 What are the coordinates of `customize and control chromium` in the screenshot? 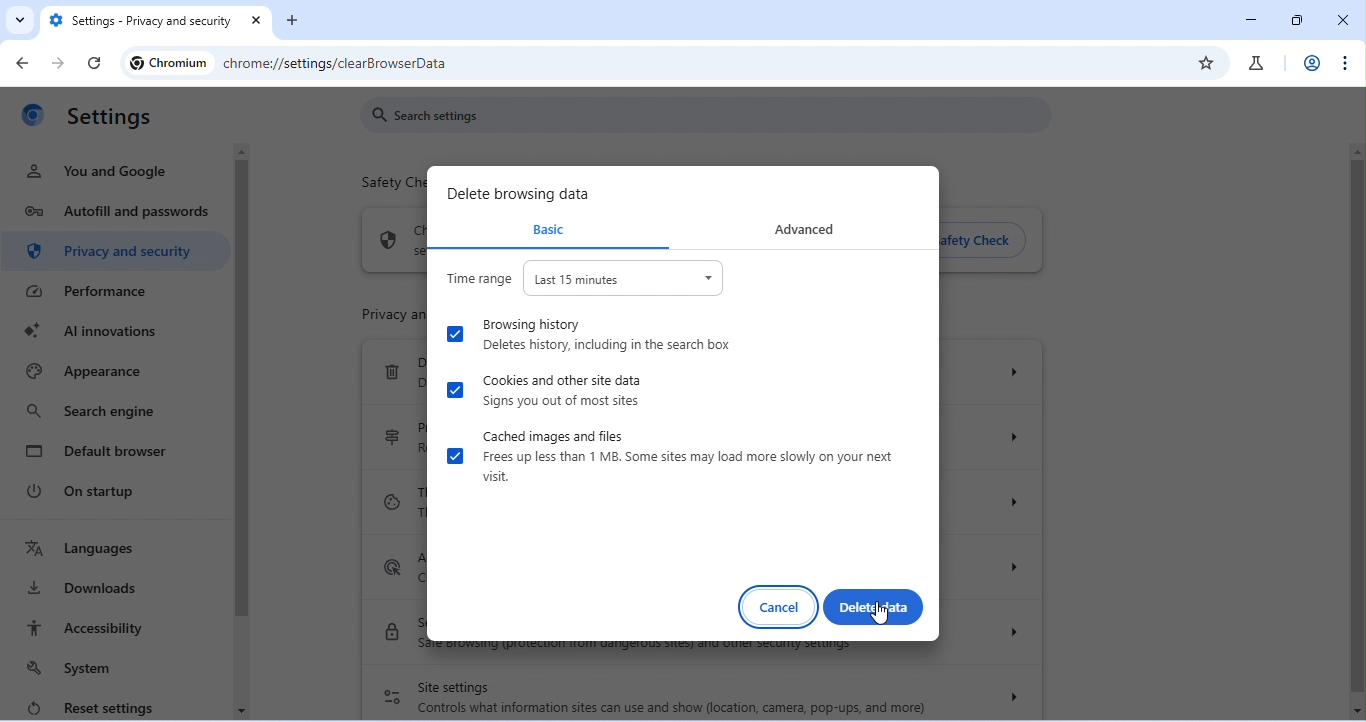 It's located at (1343, 63).